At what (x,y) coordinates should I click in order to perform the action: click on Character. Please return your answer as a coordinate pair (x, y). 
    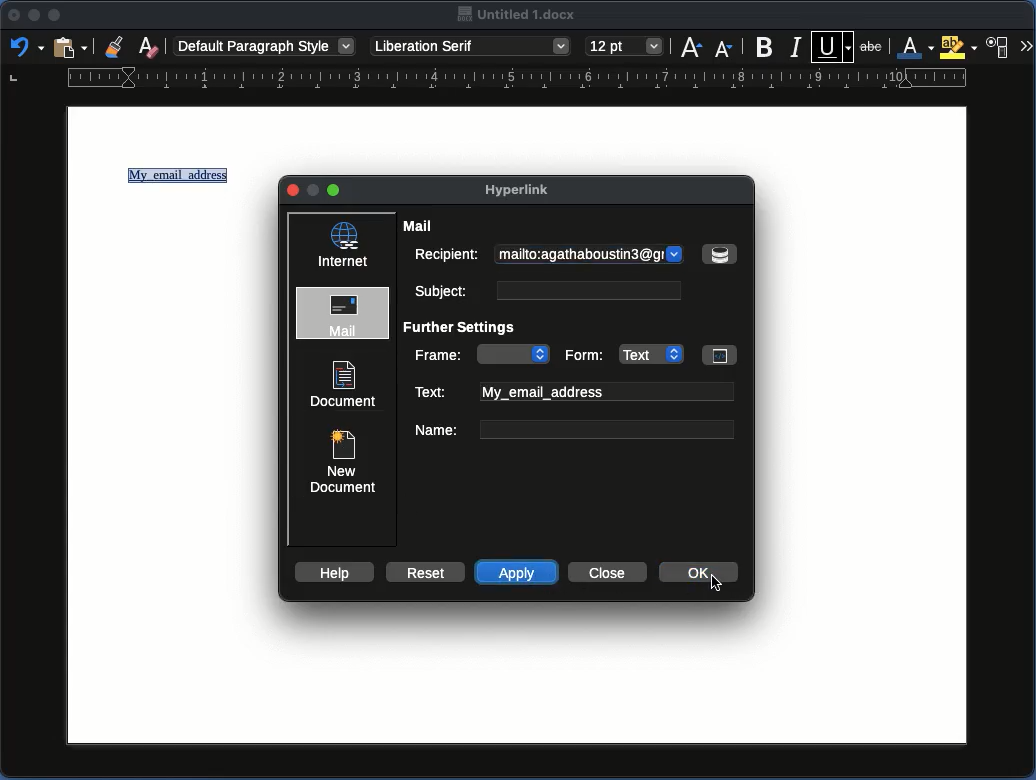
    Looking at the image, I should click on (1000, 45).